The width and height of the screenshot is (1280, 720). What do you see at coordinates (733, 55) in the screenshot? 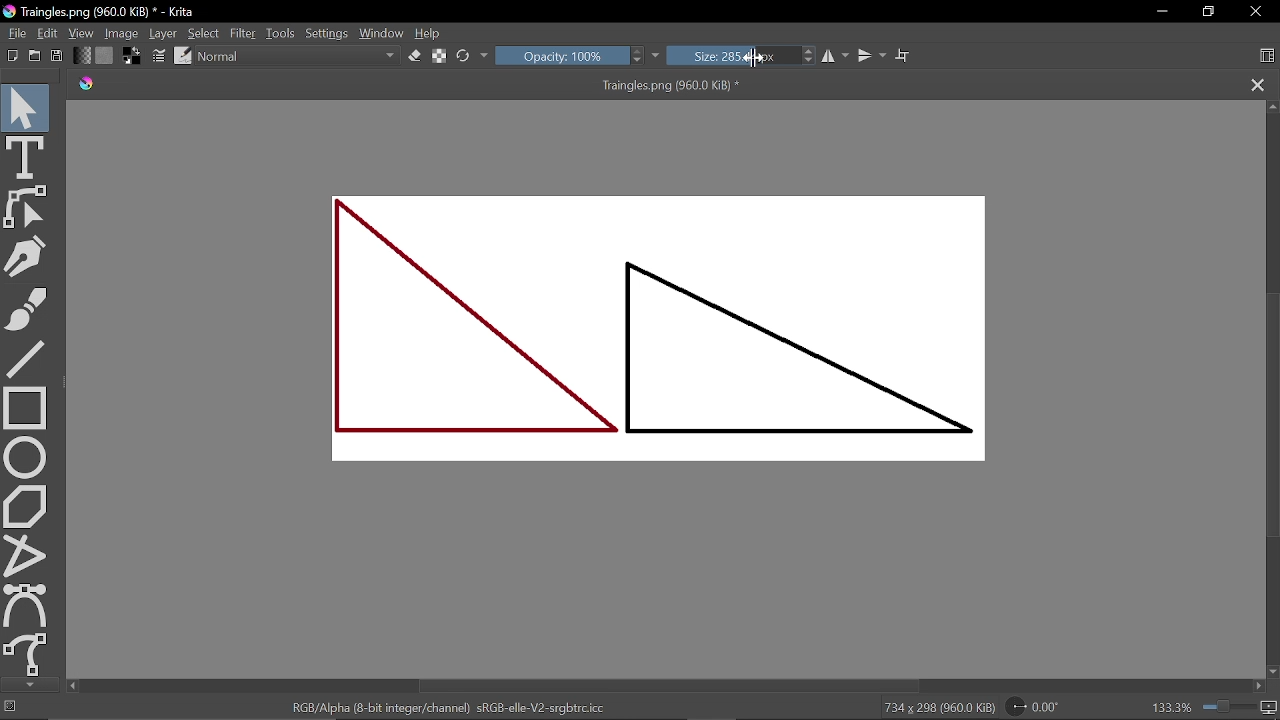
I see `Size: 285.44 px` at bounding box center [733, 55].